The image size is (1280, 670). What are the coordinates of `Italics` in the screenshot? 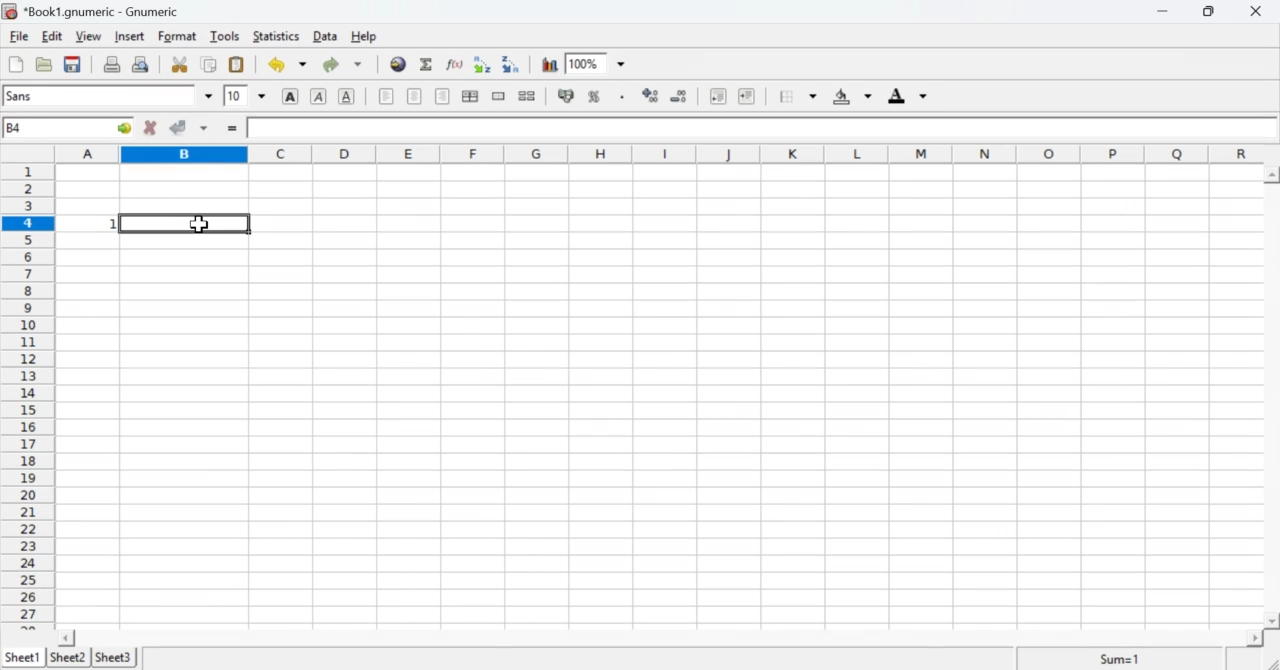 It's located at (320, 97).